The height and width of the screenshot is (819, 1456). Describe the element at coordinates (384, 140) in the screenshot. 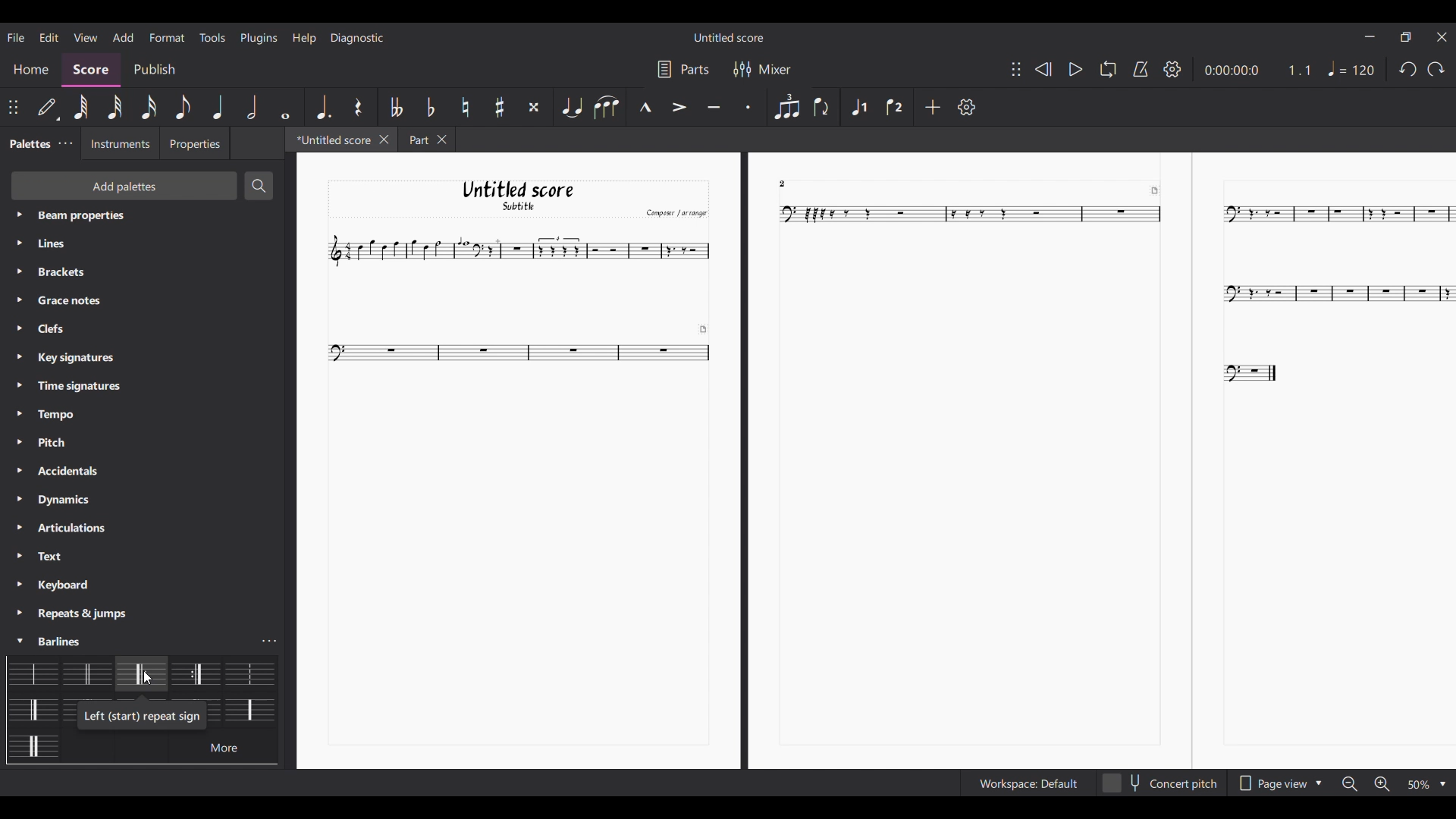

I see `Close current tab` at that location.